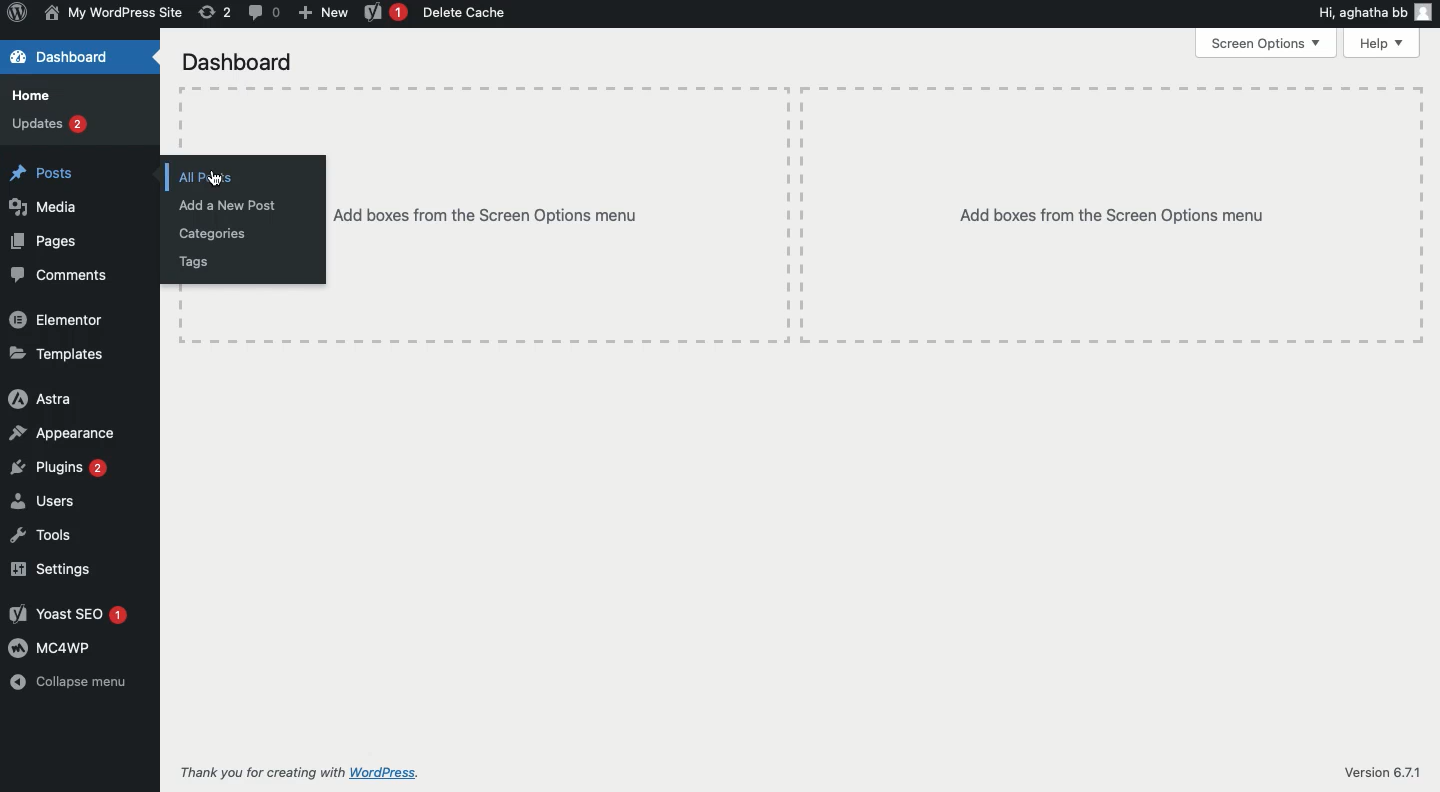 This screenshot has width=1440, height=792. Describe the element at coordinates (213, 235) in the screenshot. I see `Categories` at that location.